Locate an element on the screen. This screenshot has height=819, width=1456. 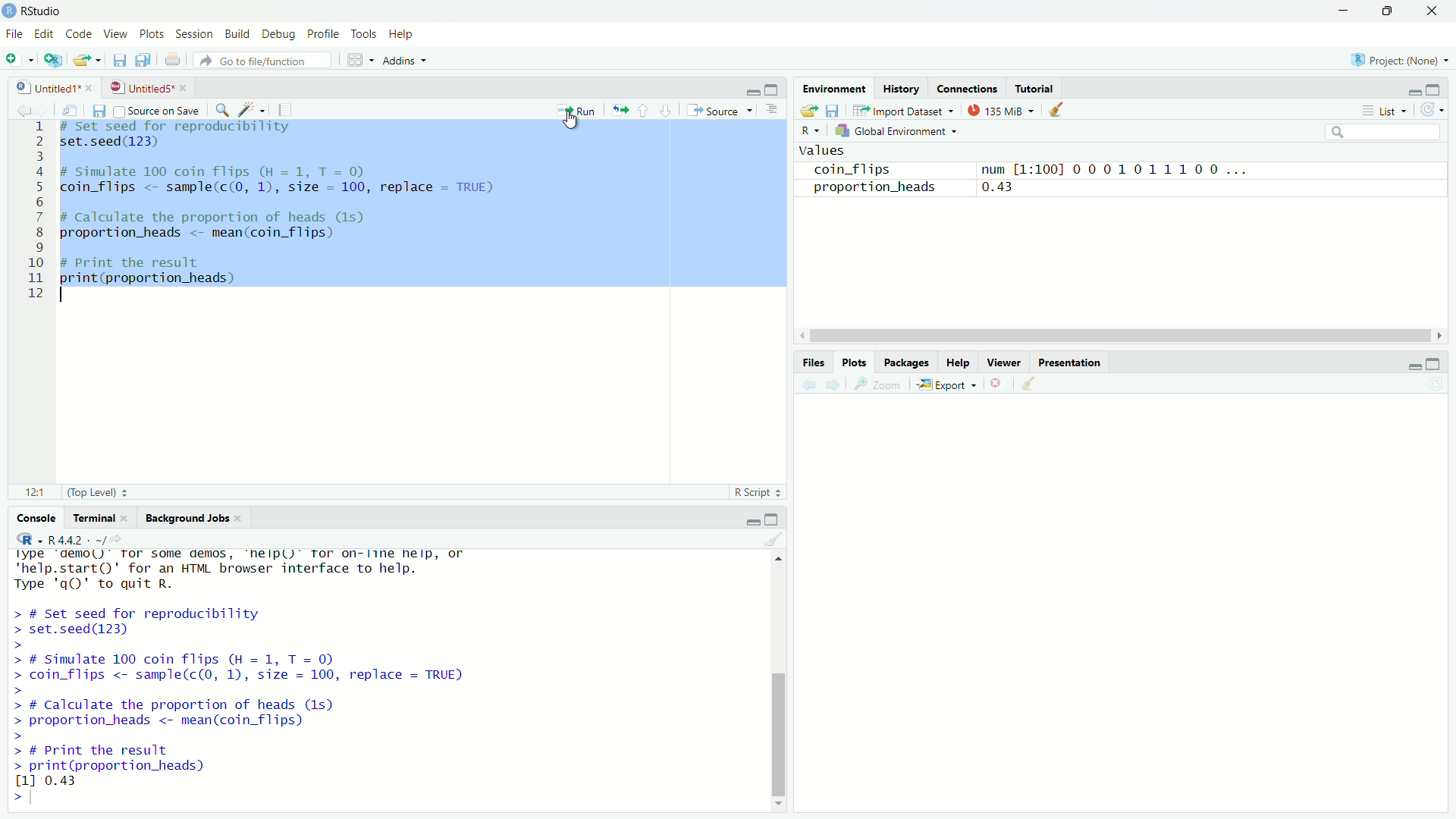
compile report is located at coordinates (293, 108).